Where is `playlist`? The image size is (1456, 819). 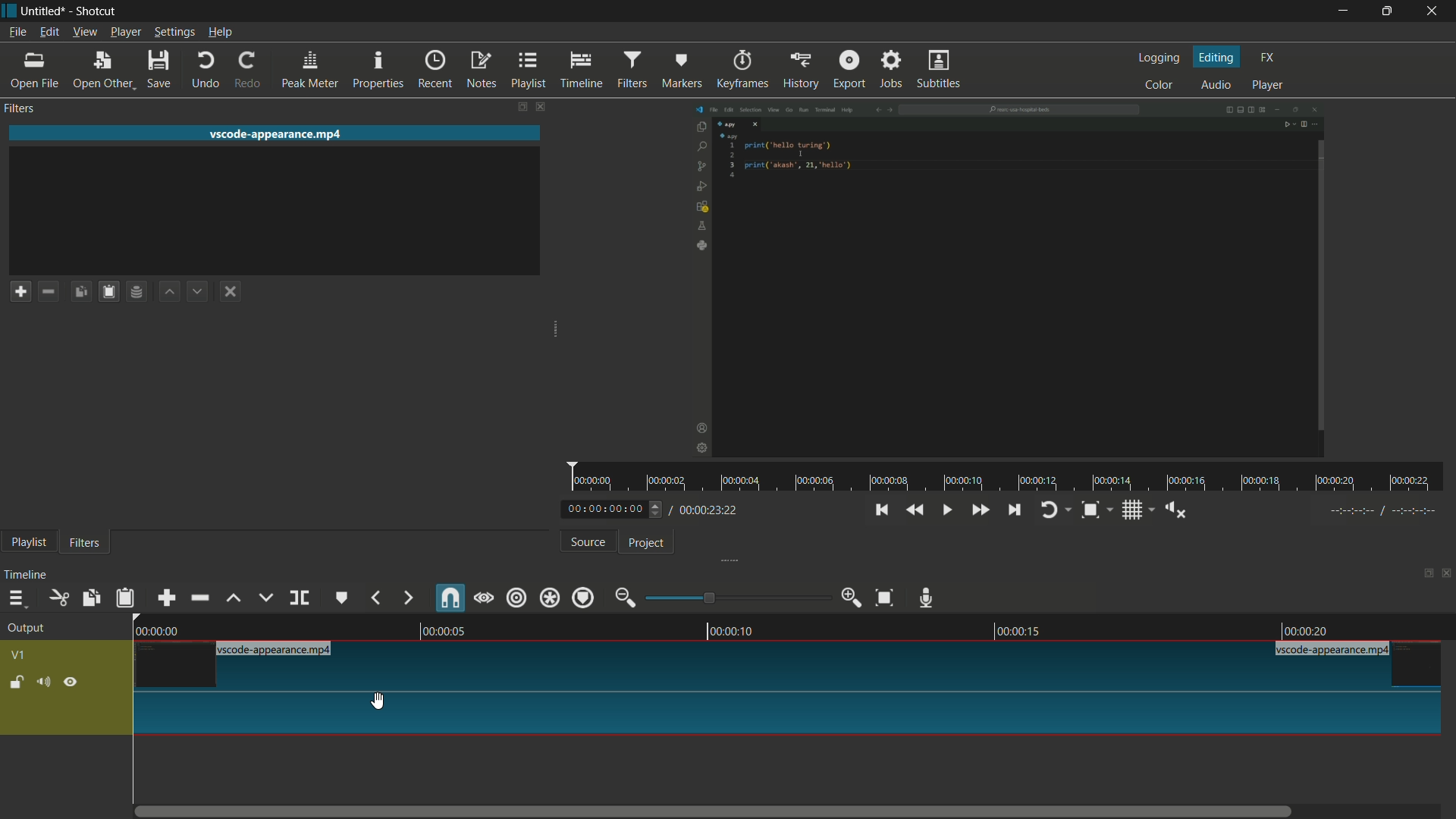 playlist is located at coordinates (29, 542).